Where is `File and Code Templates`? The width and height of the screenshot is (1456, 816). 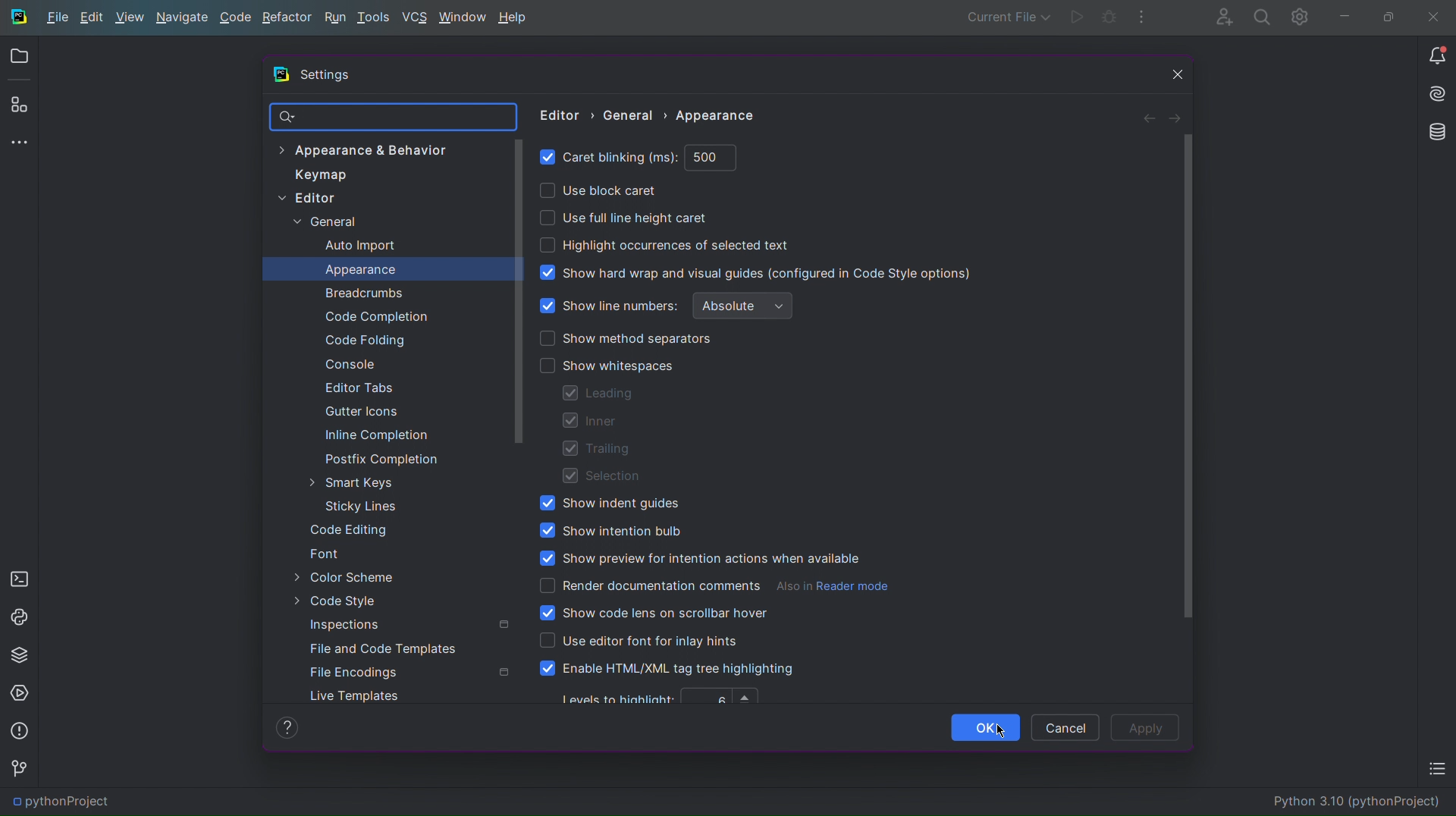 File and Code Templates is located at coordinates (388, 648).